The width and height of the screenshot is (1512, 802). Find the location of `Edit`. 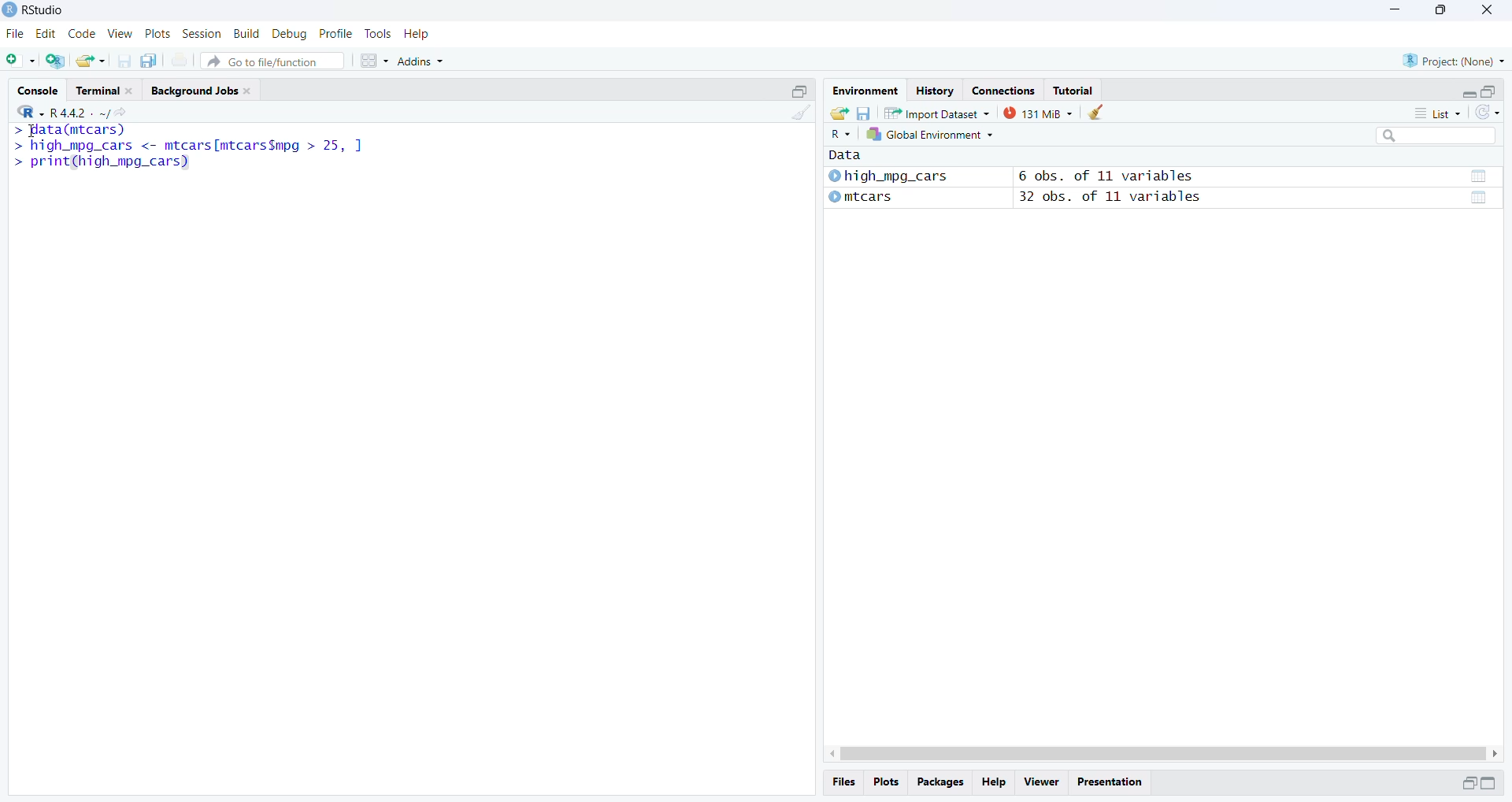

Edit is located at coordinates (47, 34).